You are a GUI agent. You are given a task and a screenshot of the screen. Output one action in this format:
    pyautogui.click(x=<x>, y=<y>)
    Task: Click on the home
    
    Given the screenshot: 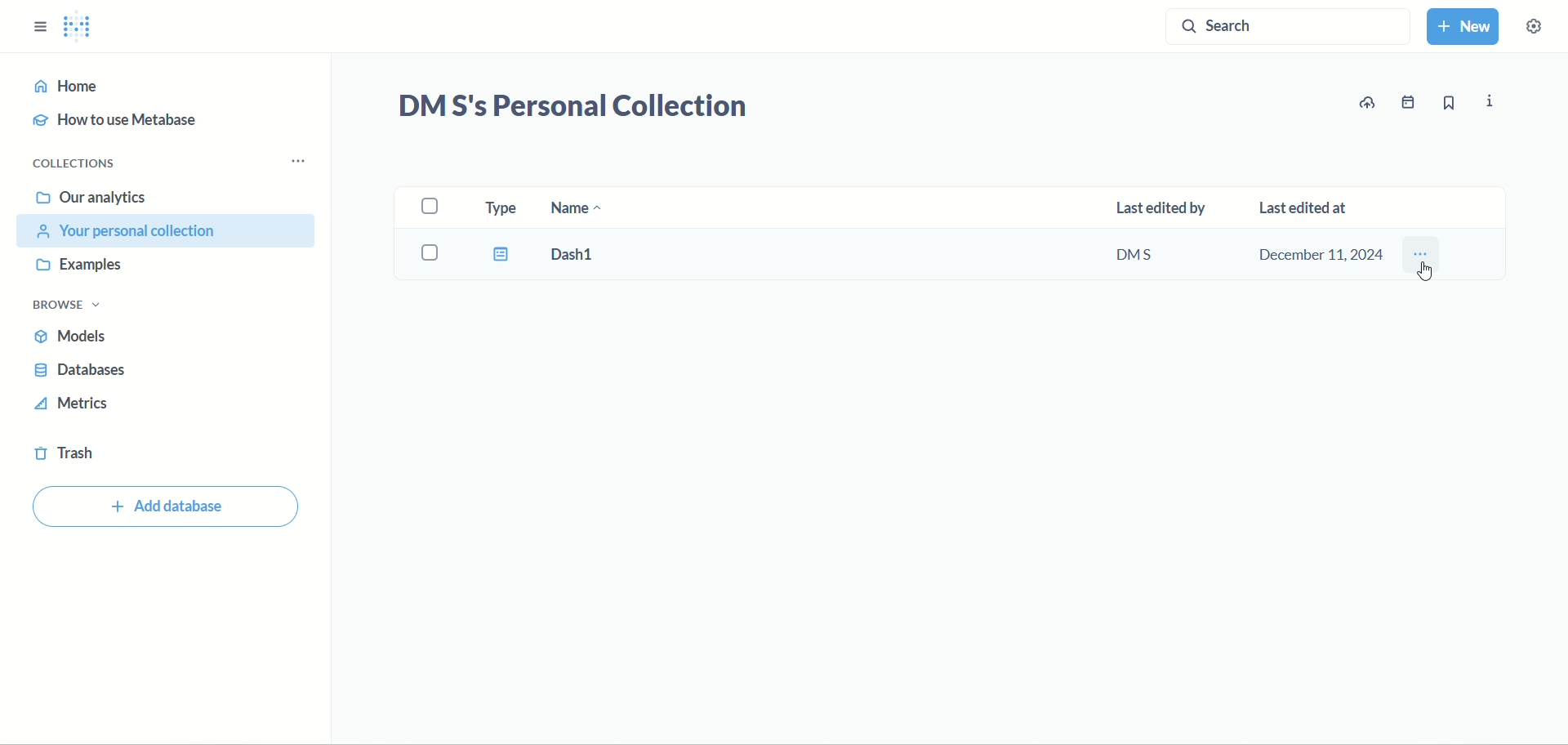 What is the action you would take?
    pyautogui.click(x=160, y=87)
    